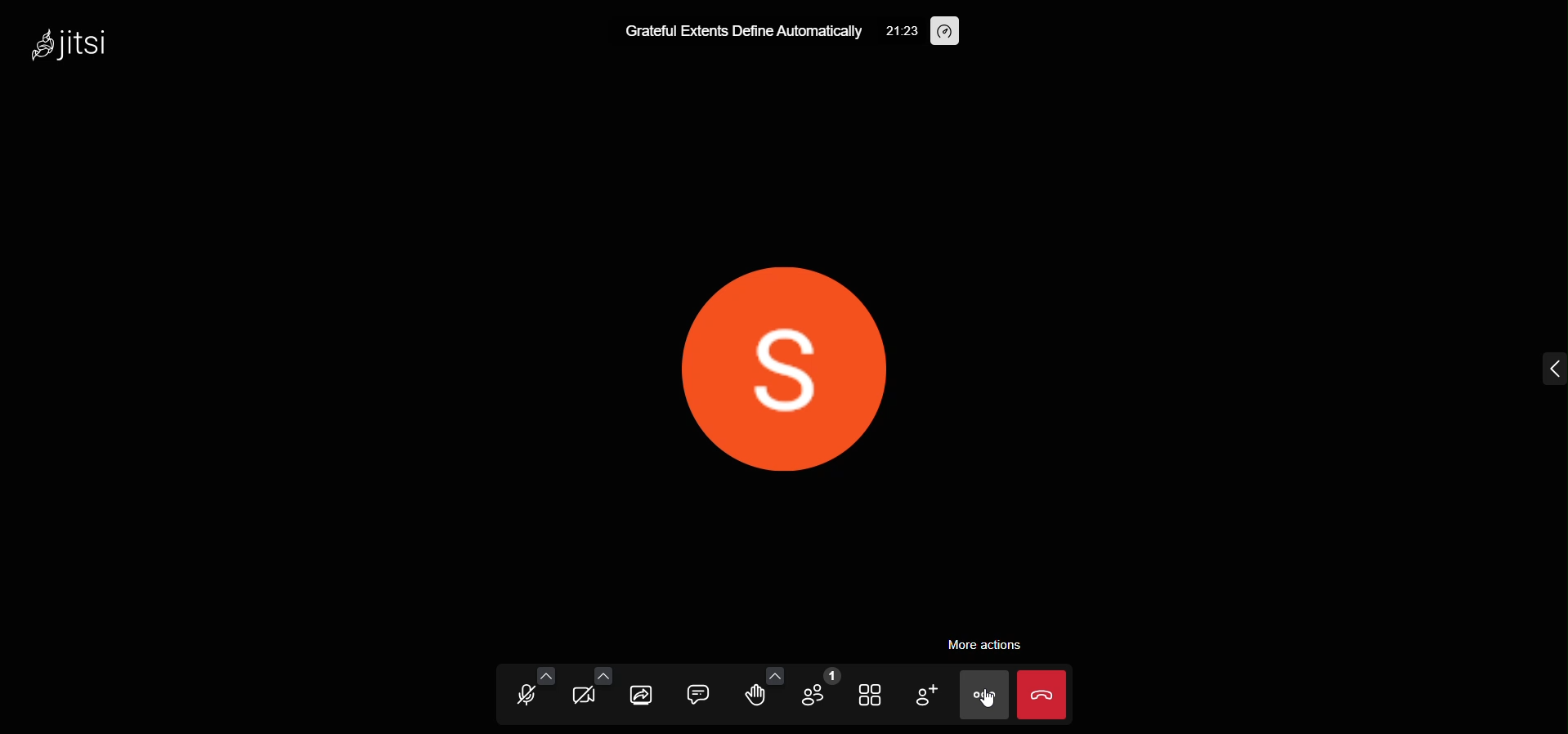 This screenshot has width=1568, height=734. I want to click on raise hand, so click(754, 696).